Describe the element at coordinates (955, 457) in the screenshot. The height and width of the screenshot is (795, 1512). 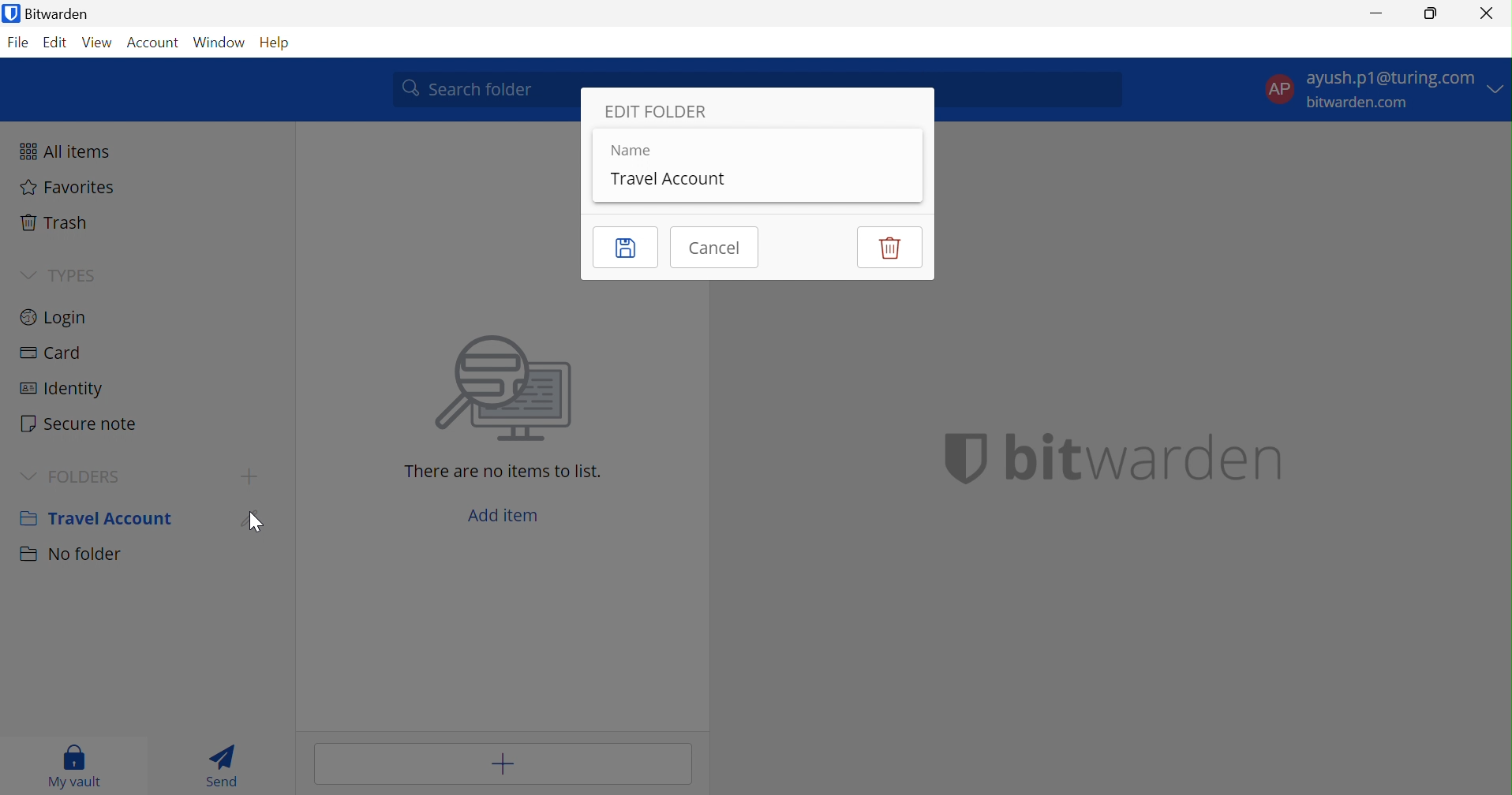
I see `bitwarden logo` at that location.